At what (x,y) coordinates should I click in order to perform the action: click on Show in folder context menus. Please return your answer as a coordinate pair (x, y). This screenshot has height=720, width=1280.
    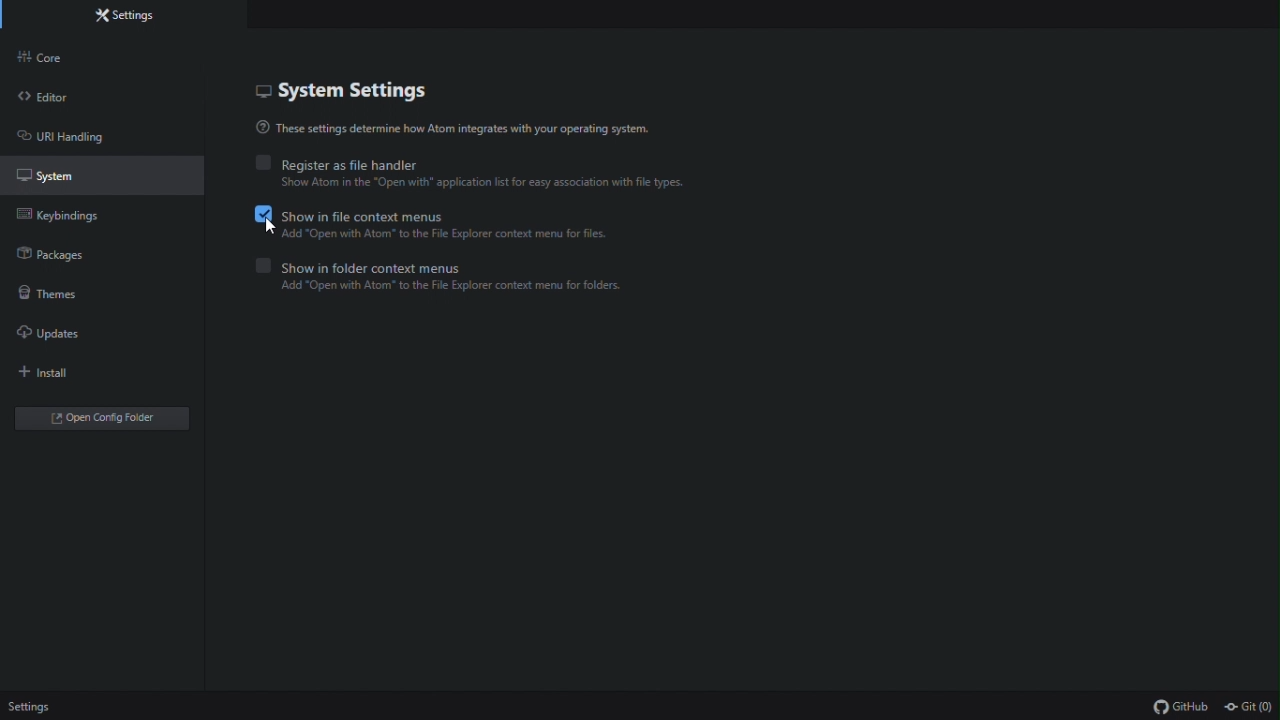
    Looking at the image, I should click on (374, 266).